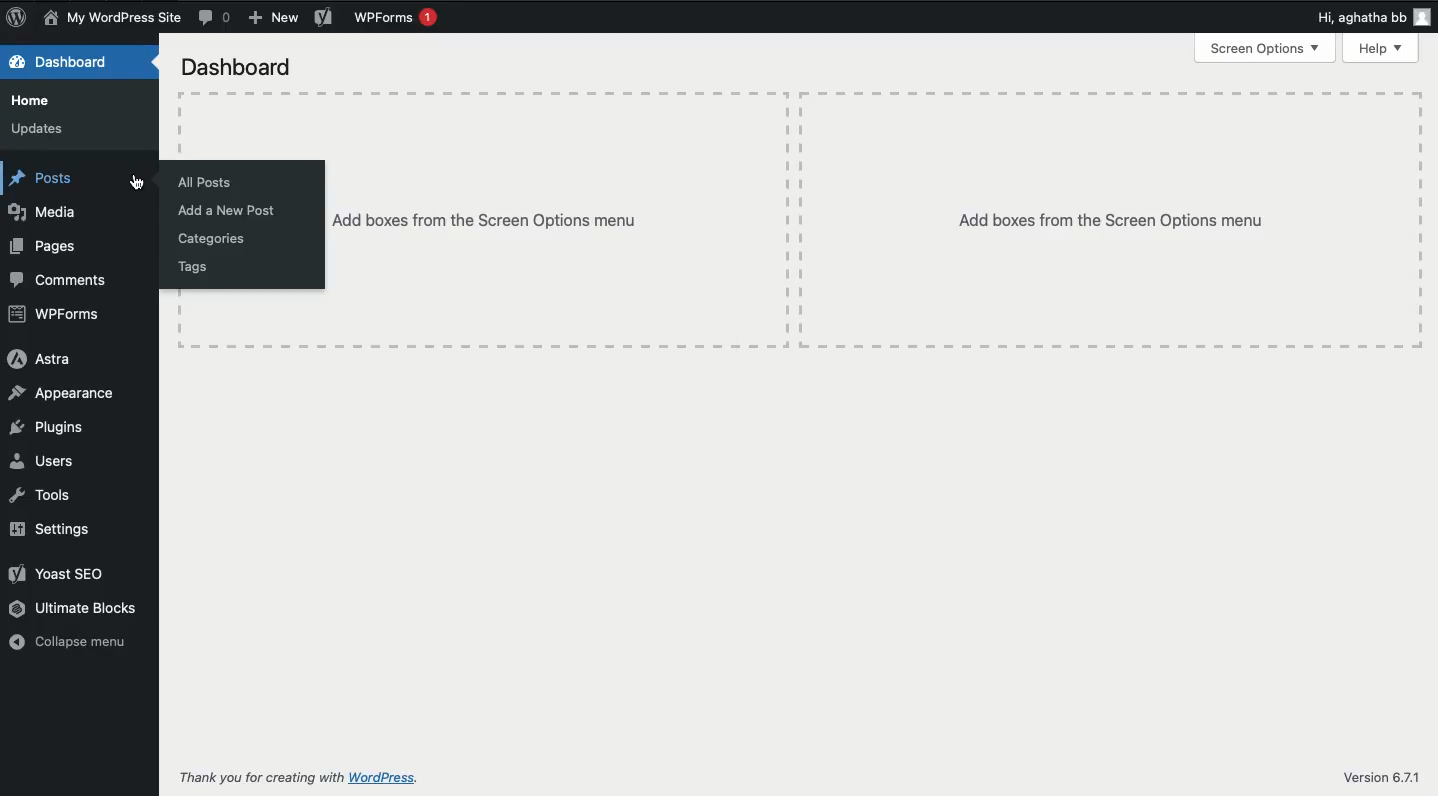 This screenshot has width=1438, height=796. What do you see at coordinates (43, 494) in the screenshot?
I see `Tools` at bounding box center [43, 494].